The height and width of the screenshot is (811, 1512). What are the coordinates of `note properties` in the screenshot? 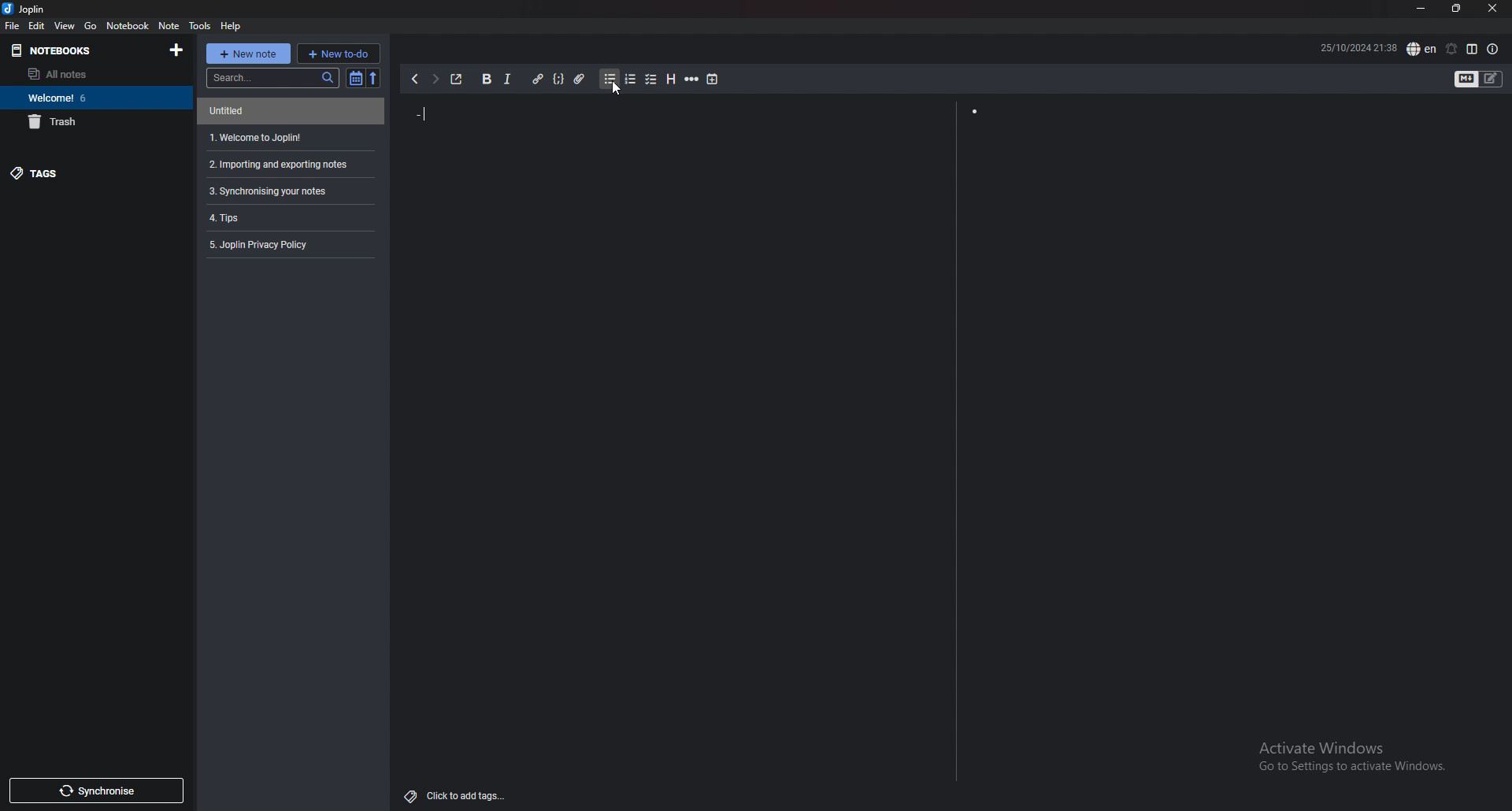 It's located at (1497, 50).